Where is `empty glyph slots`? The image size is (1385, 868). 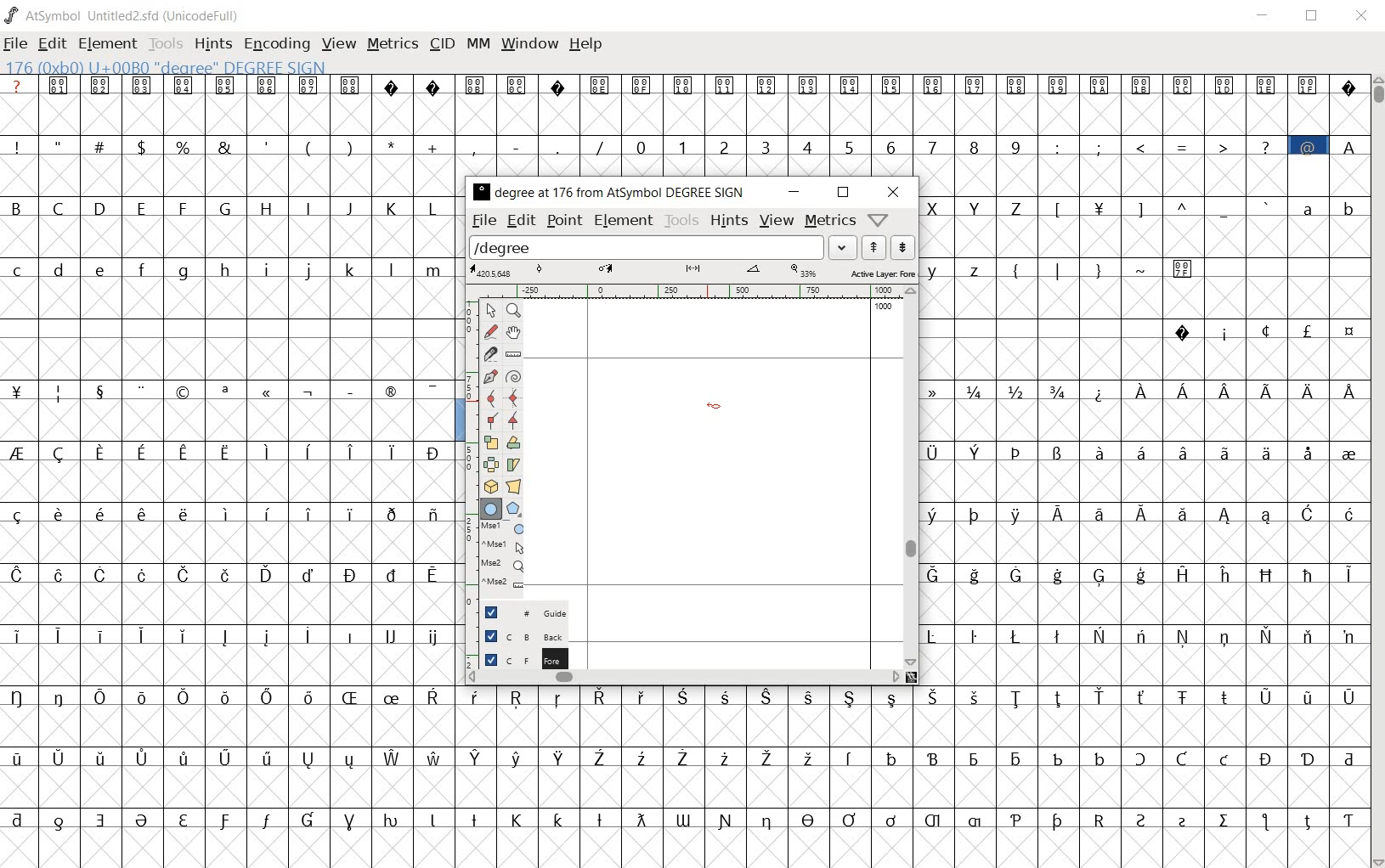 empty glyph slots is located at coordinates (1139, 421).